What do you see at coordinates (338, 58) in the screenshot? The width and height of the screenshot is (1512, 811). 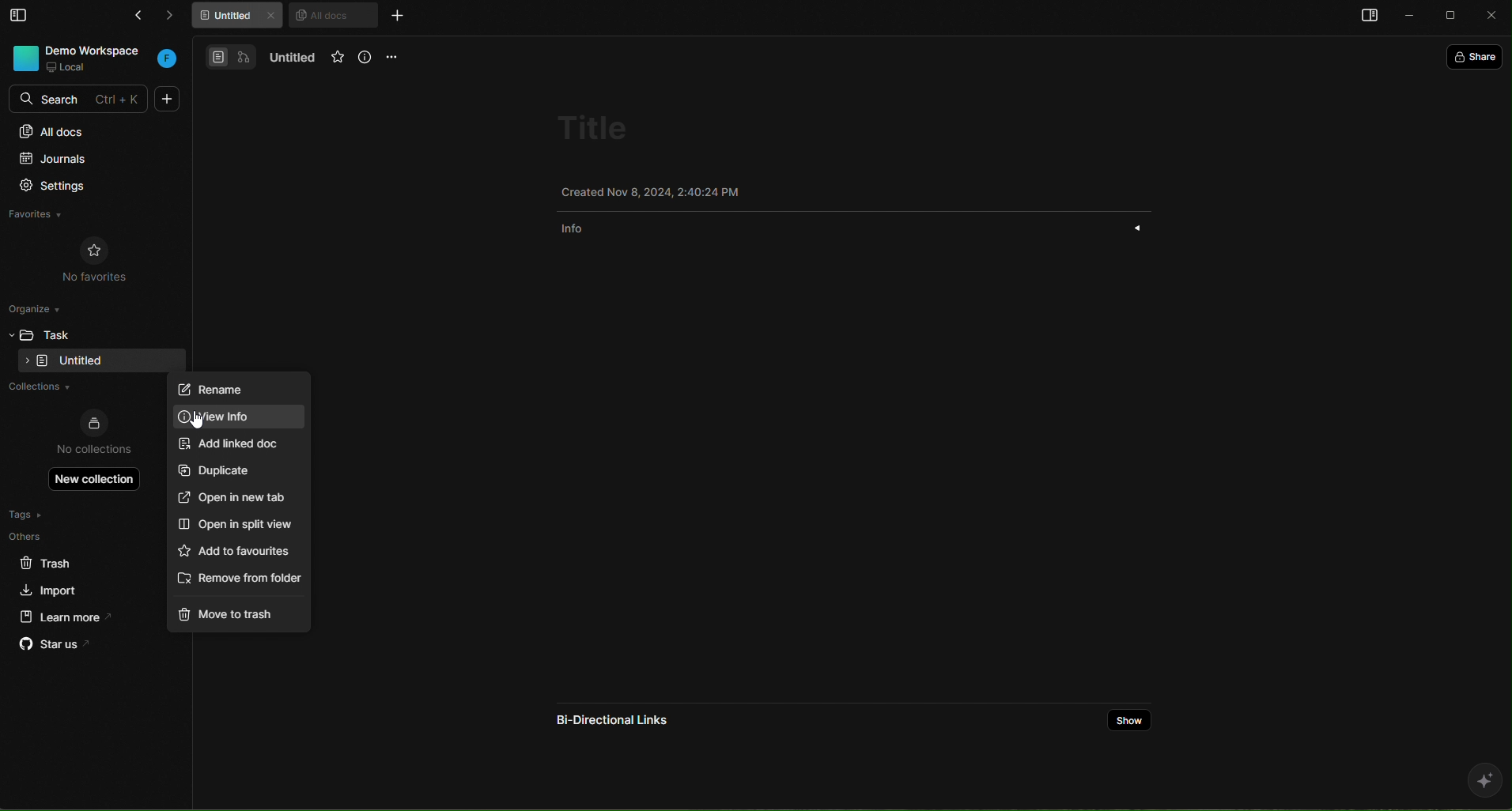 I see `favorites` at bounding box center [338, 58].